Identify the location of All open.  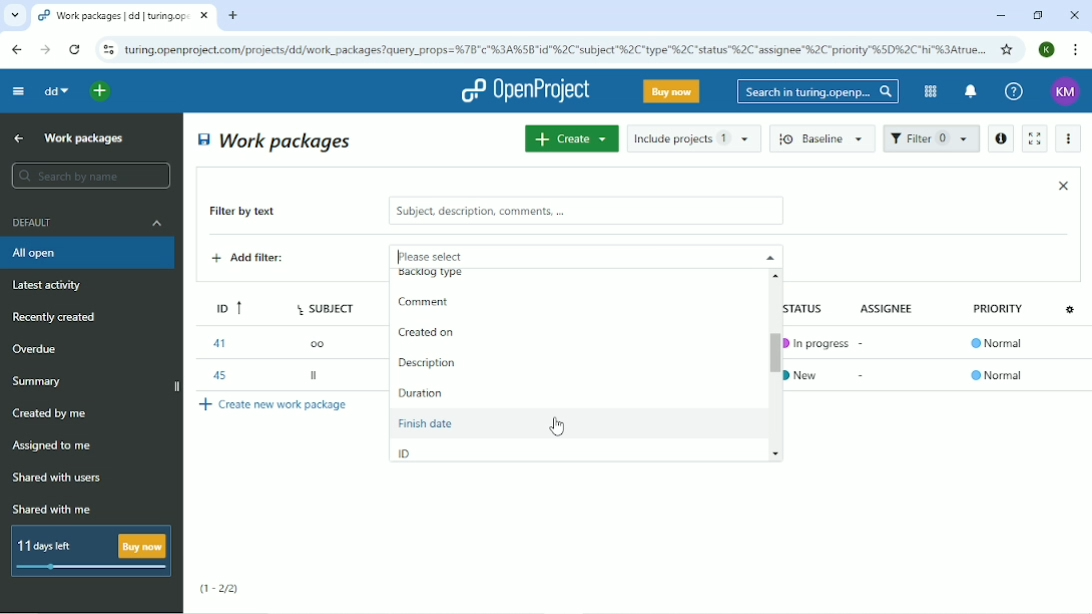
(90, 253).